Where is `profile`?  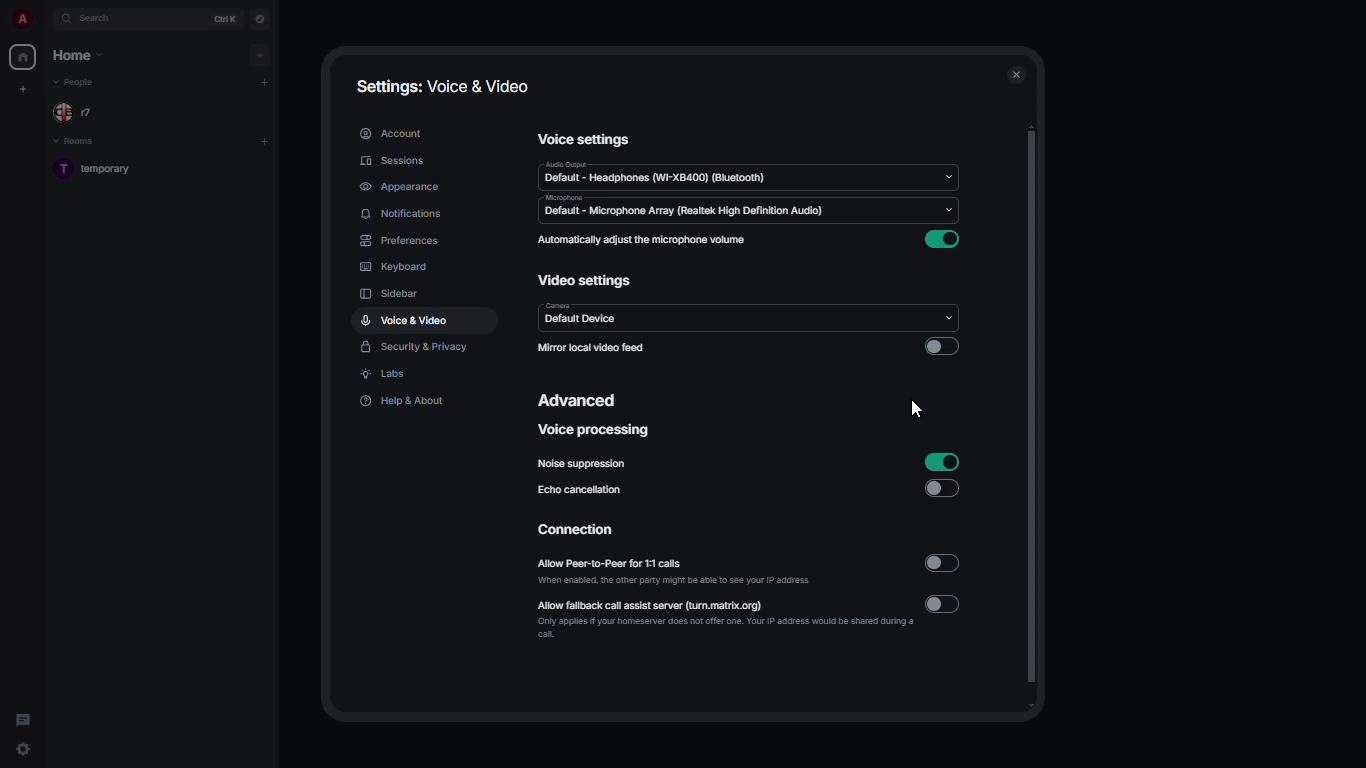
profile is located at coordinates (21, 18).